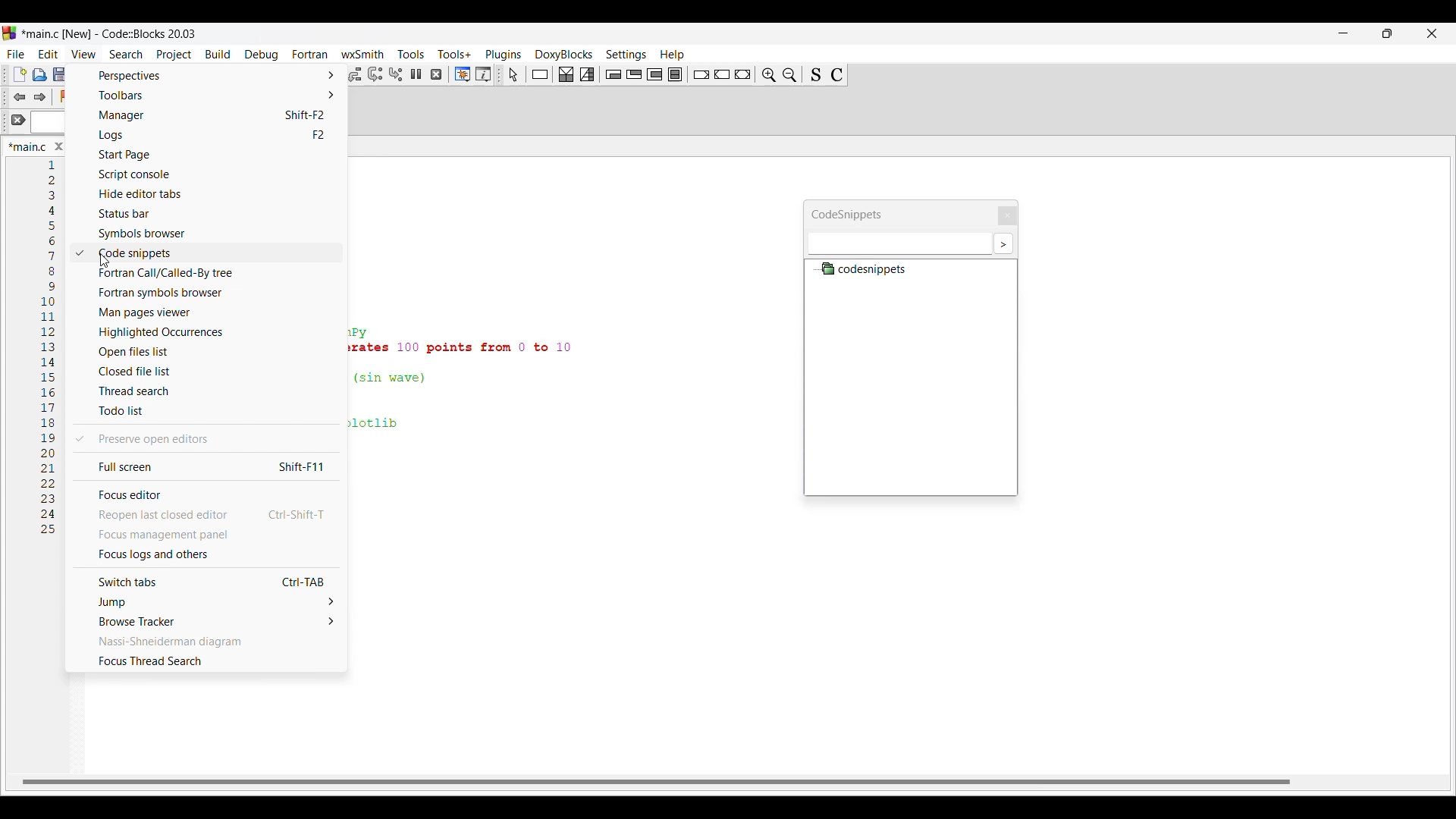 The image size is (1456, 819). I want to click on Continue instruction, so click(722, 74).